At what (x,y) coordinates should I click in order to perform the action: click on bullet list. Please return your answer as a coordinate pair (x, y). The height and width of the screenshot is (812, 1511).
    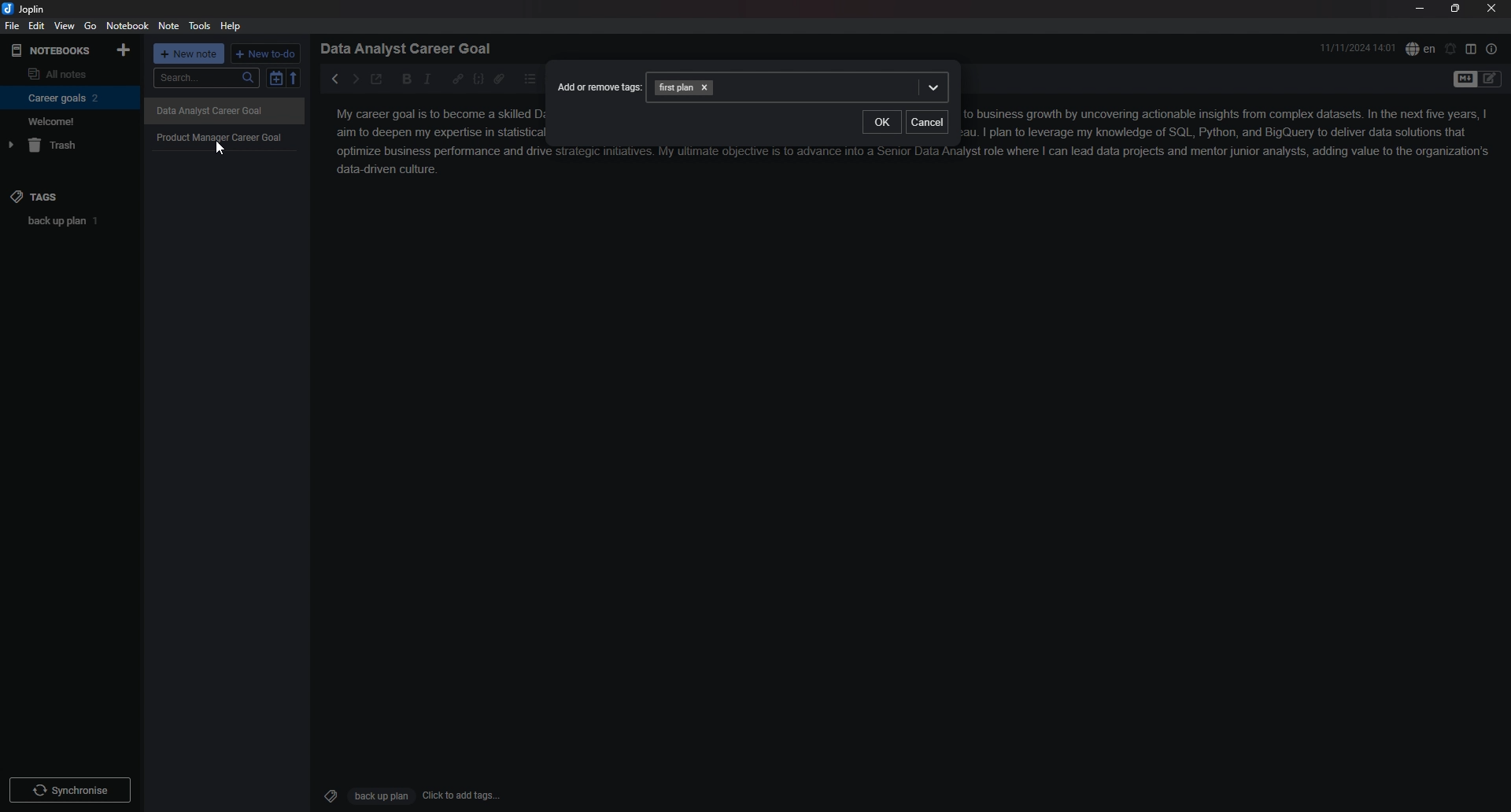
    Looking at the image, I should click on (530, 79).